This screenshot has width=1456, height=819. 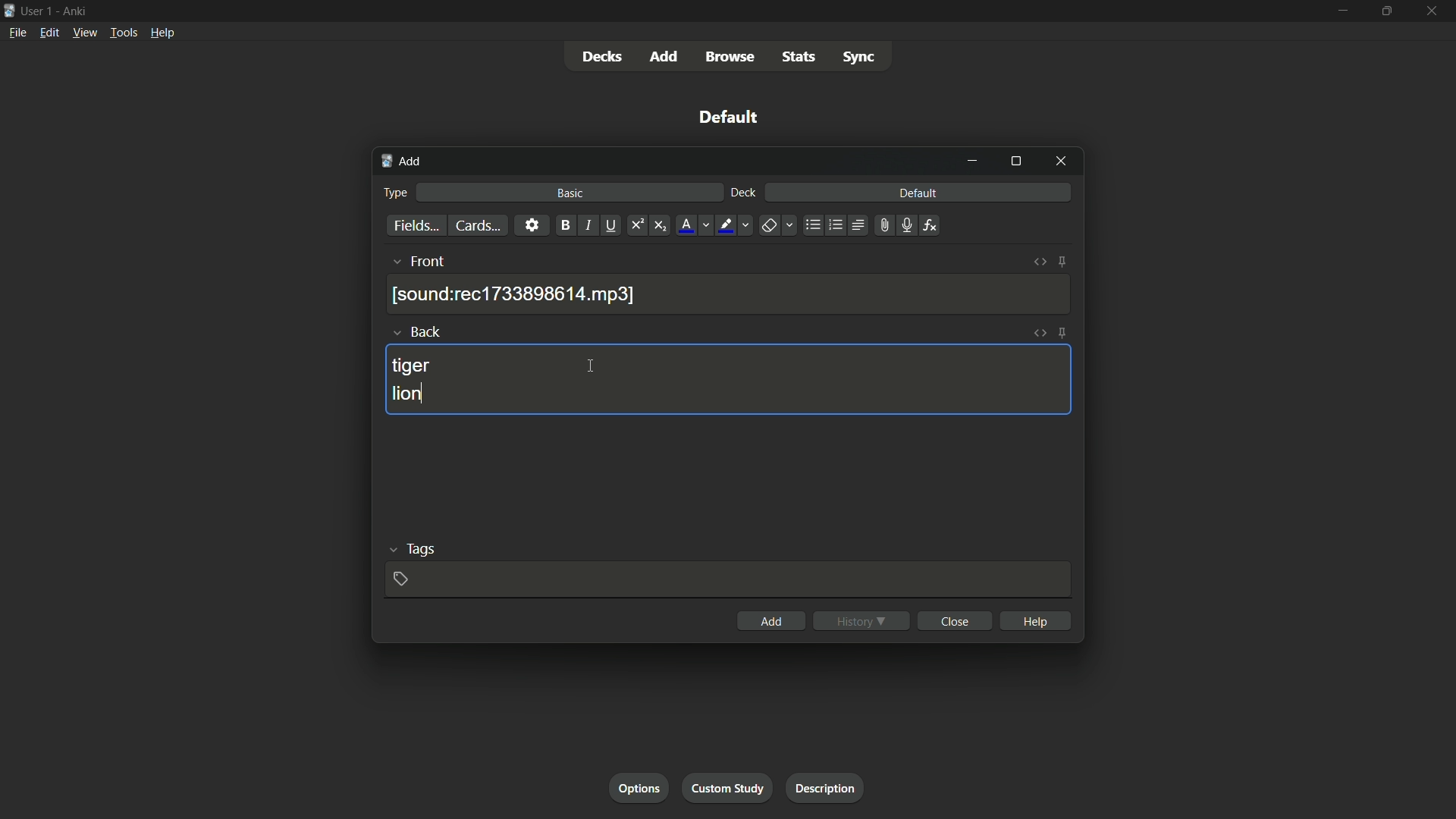 What do you see at coordinates (733, 57) in the screenshot?
I see `browse` at bounding box center [733, 57].